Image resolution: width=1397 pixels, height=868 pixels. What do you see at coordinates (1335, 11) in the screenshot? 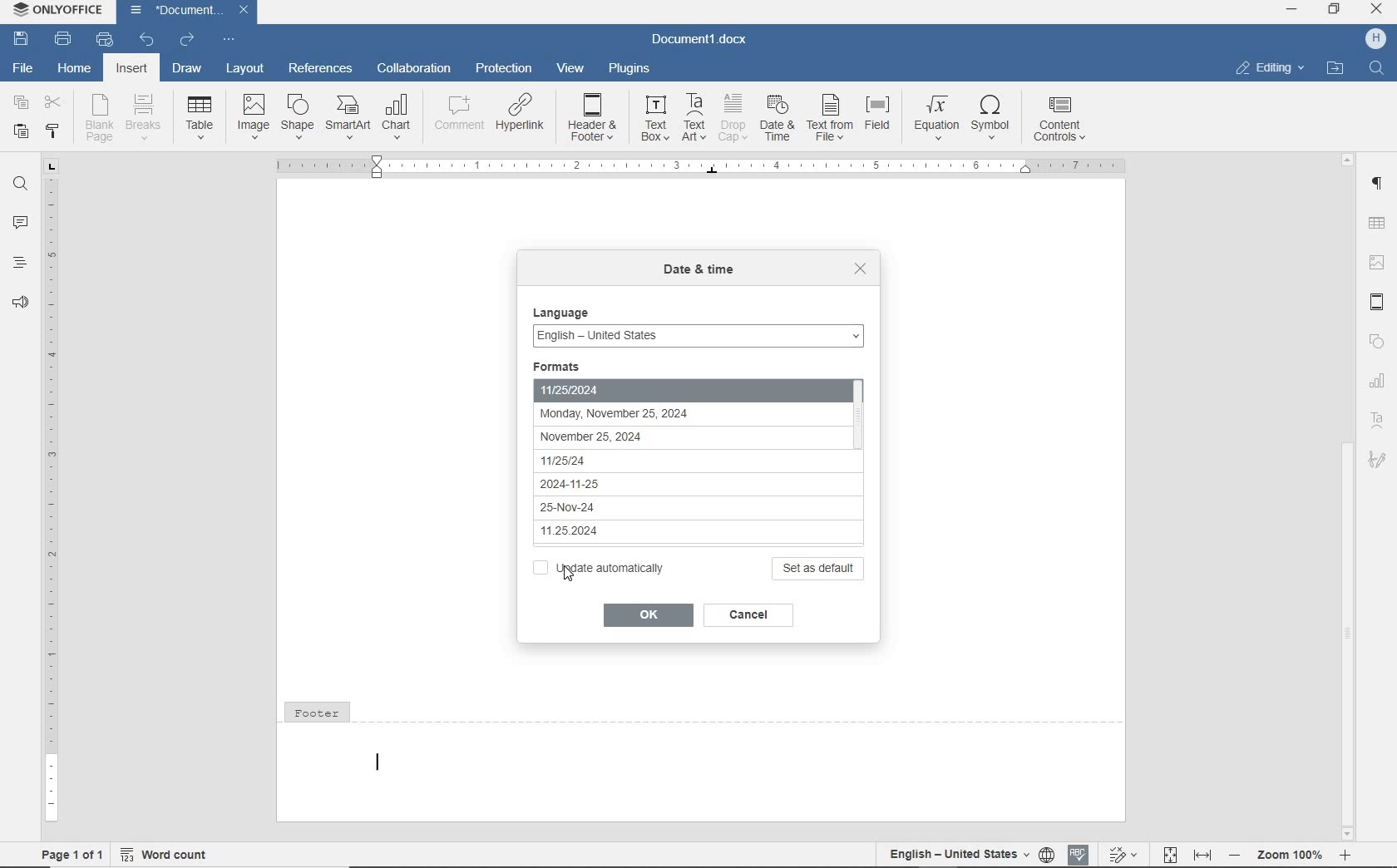
I see `restore down` at bounding box center [1335, 11].